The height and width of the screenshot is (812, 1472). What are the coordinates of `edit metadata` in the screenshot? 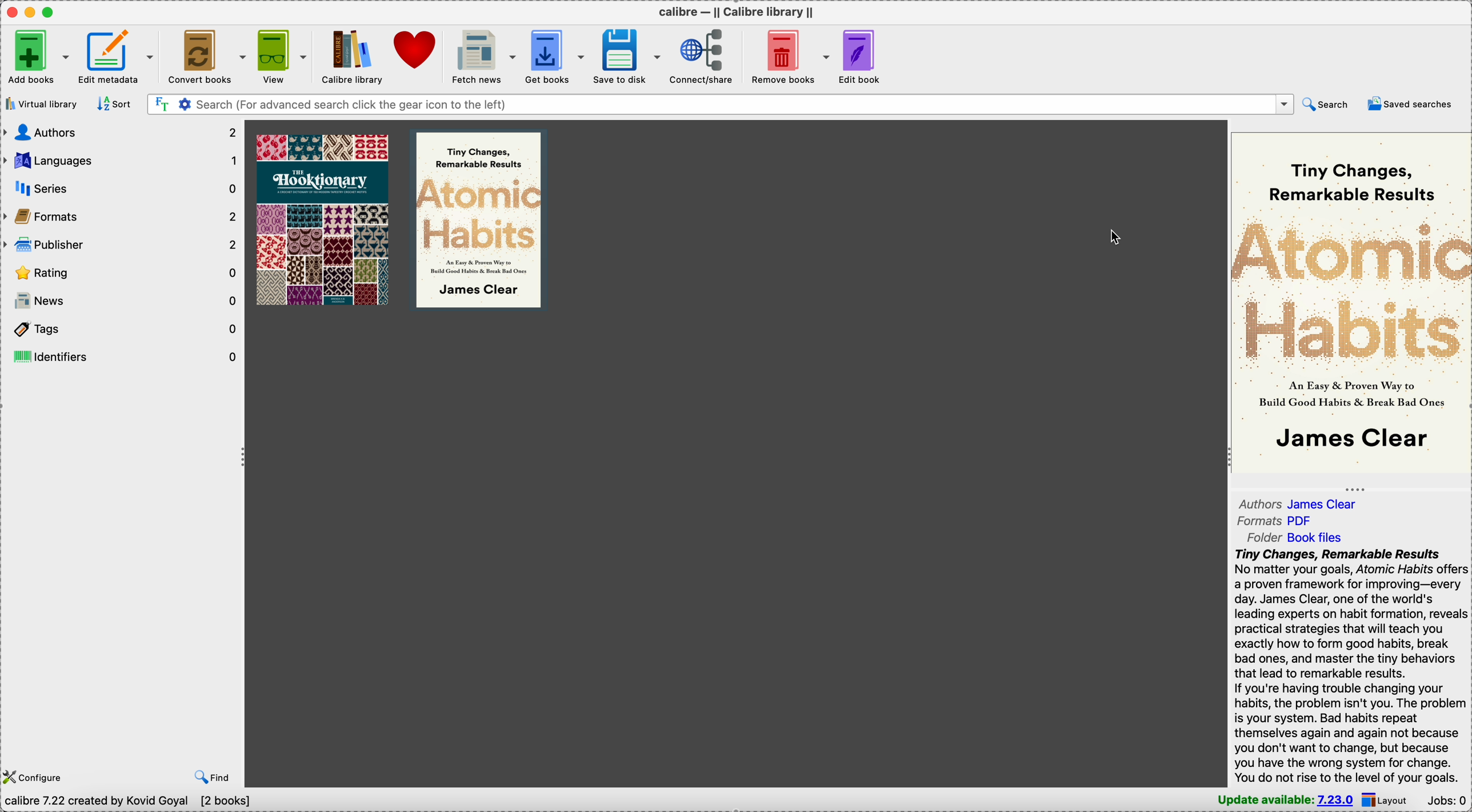 It's located at (115, 57).